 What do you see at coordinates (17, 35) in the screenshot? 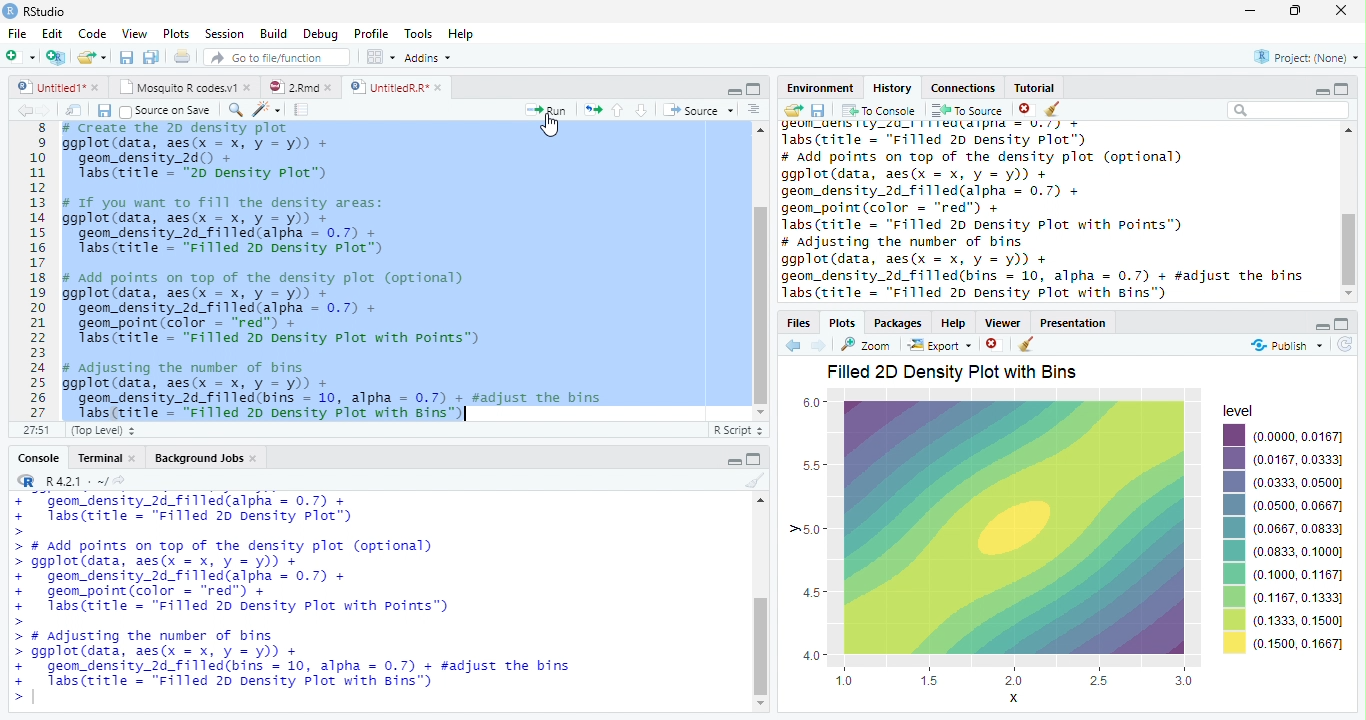
I see `File` at bounding box center [17, 35].